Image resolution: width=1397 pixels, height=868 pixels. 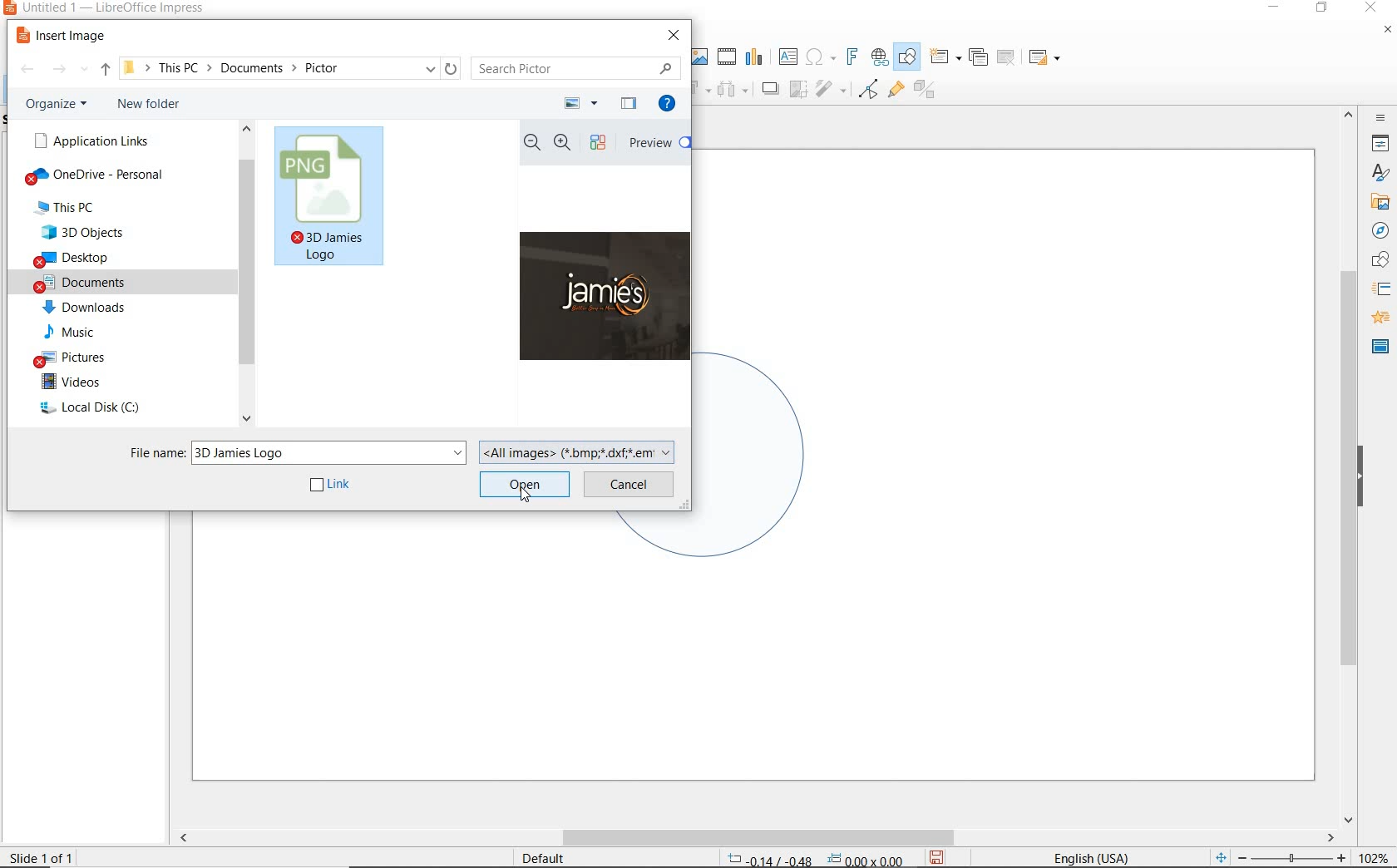 What do you see at coordinates (1380, 289) in the screenshot?
I see `slide transition` at bounding box center [1380, 289].